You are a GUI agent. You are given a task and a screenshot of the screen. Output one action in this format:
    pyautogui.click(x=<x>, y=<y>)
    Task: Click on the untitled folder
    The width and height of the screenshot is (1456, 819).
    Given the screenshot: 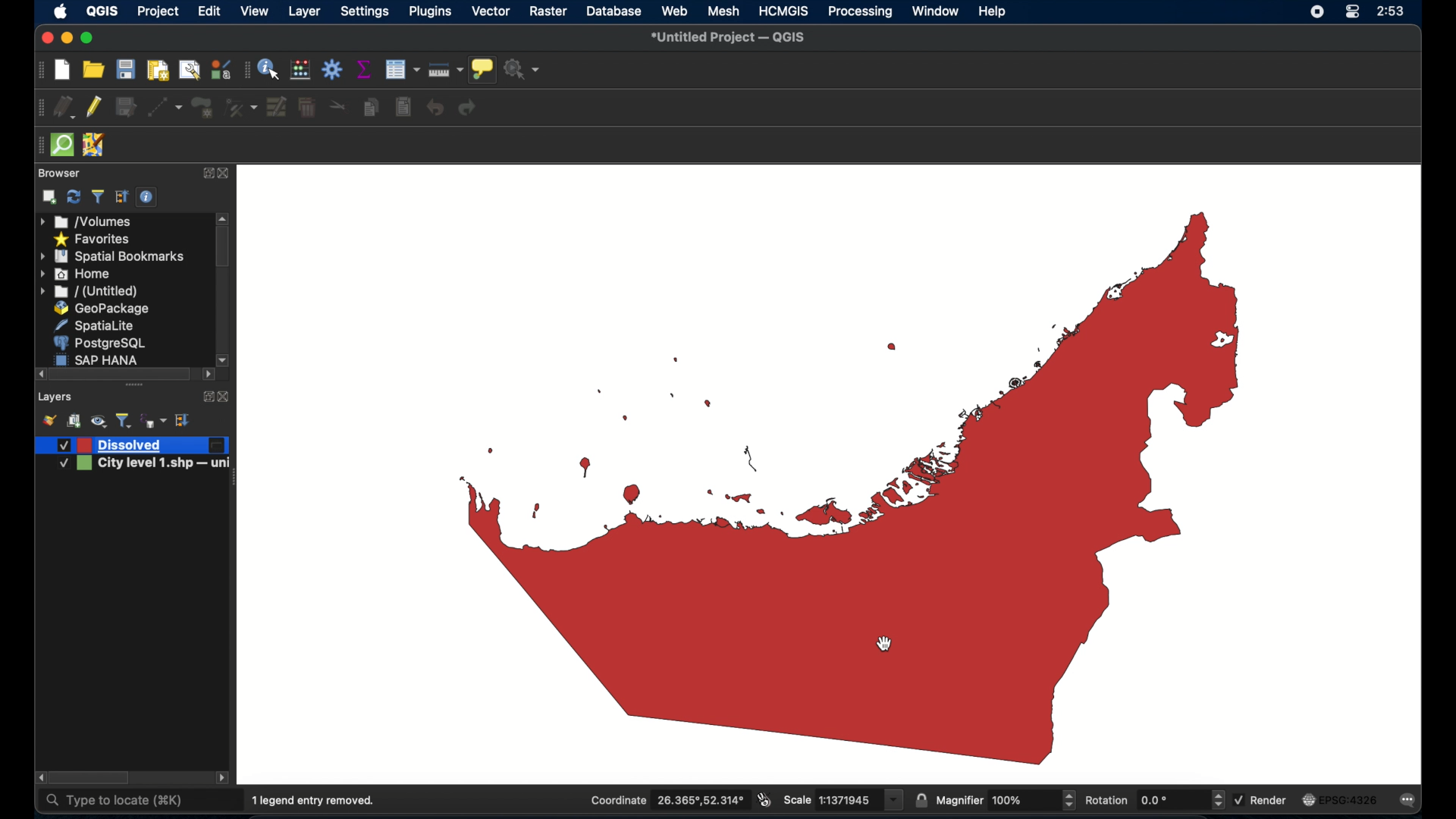 What is the action you would take?
    pyautogui.click(x=91, y=292)
    